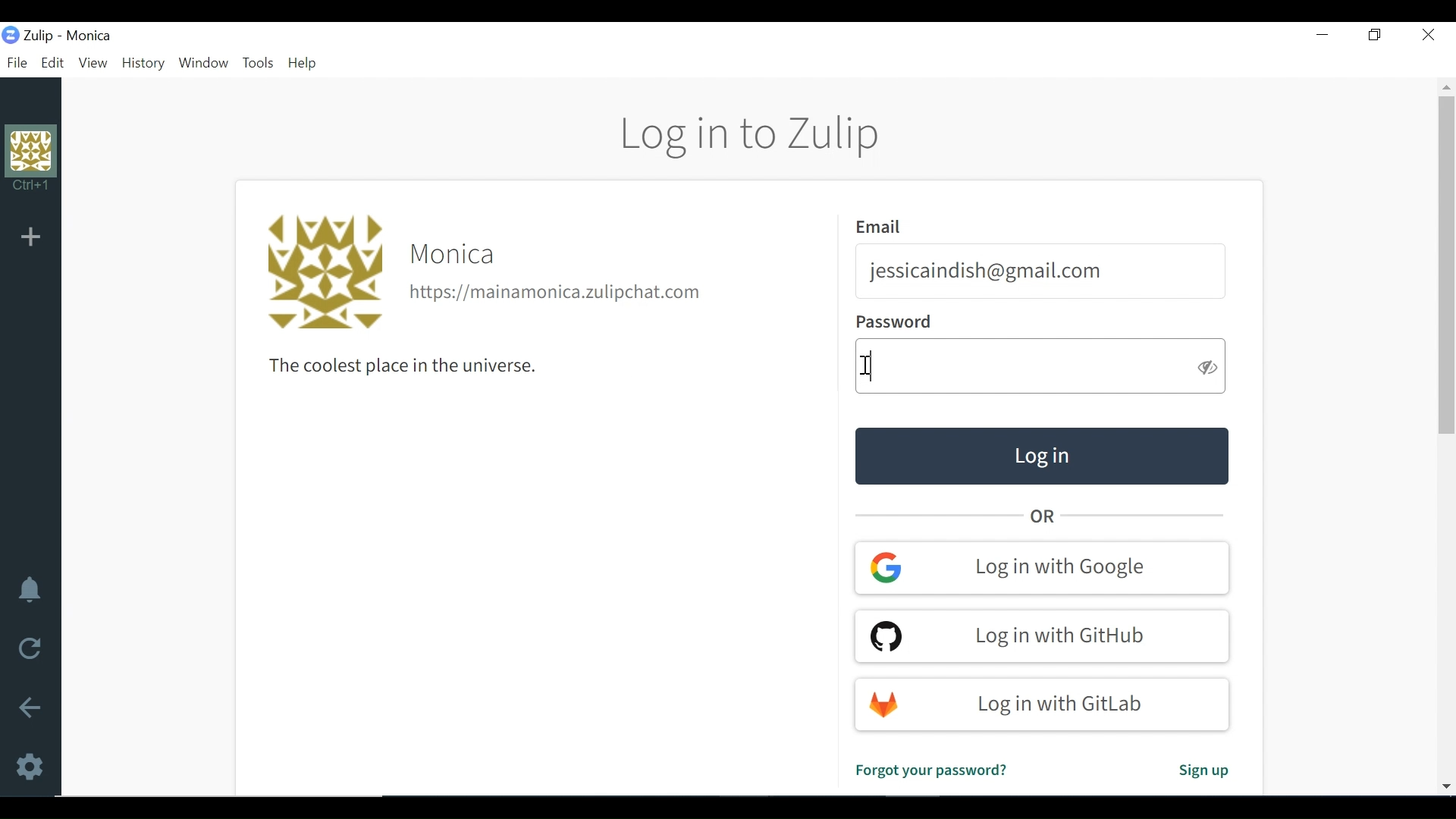 Image resolution: width=1456 pixels, height=819 pixels. What do you see at coordinates (93, 63) in the screenshot?
I see `View` at bounding box center [93, 63].